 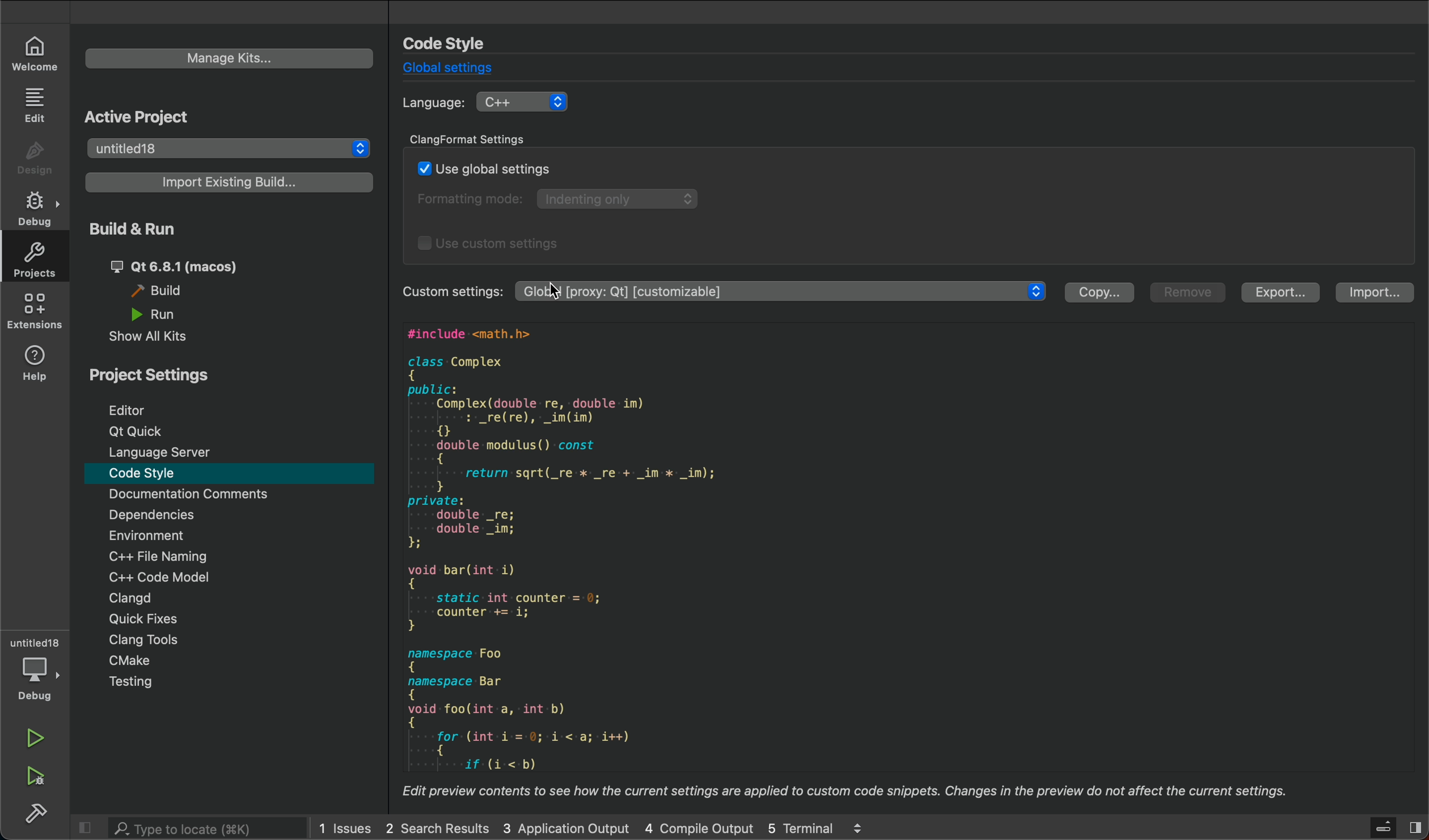 What do you see at coordinates (34, 365) in the screenshot?
I see `help` at bounding box center [34, 365].